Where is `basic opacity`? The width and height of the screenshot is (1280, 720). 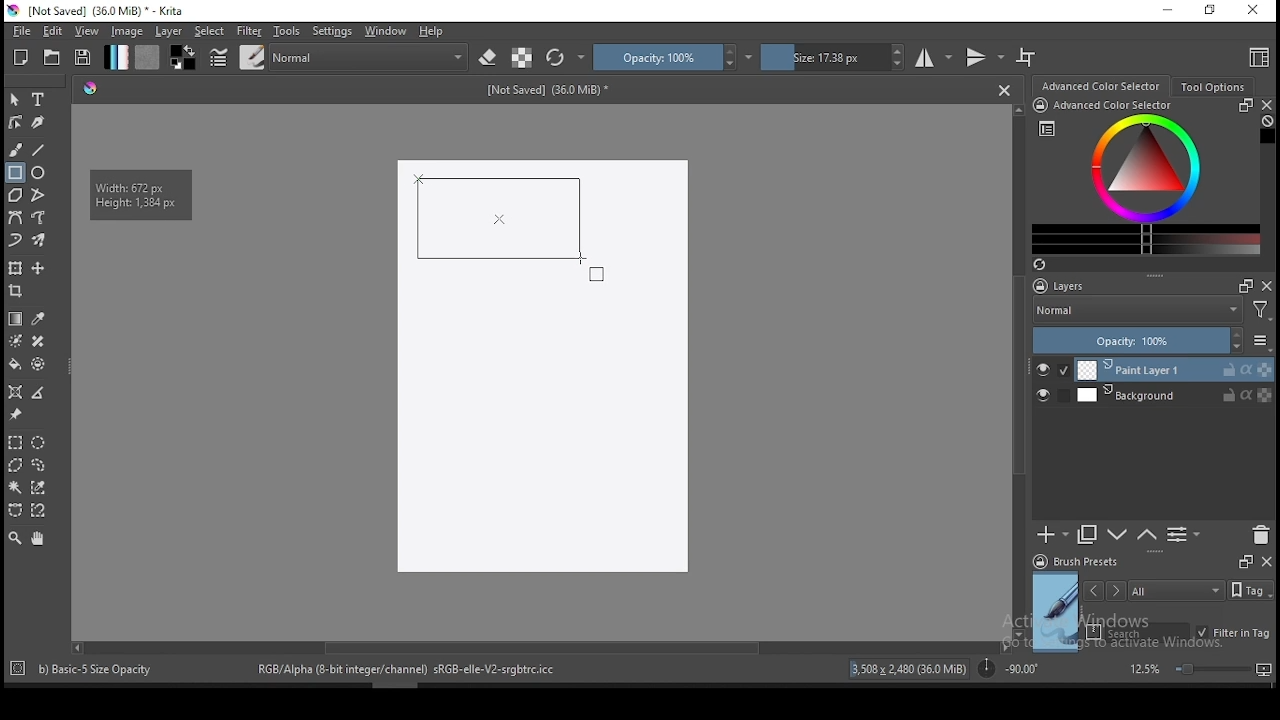
basic opacity is located at coordinates (98, 668).